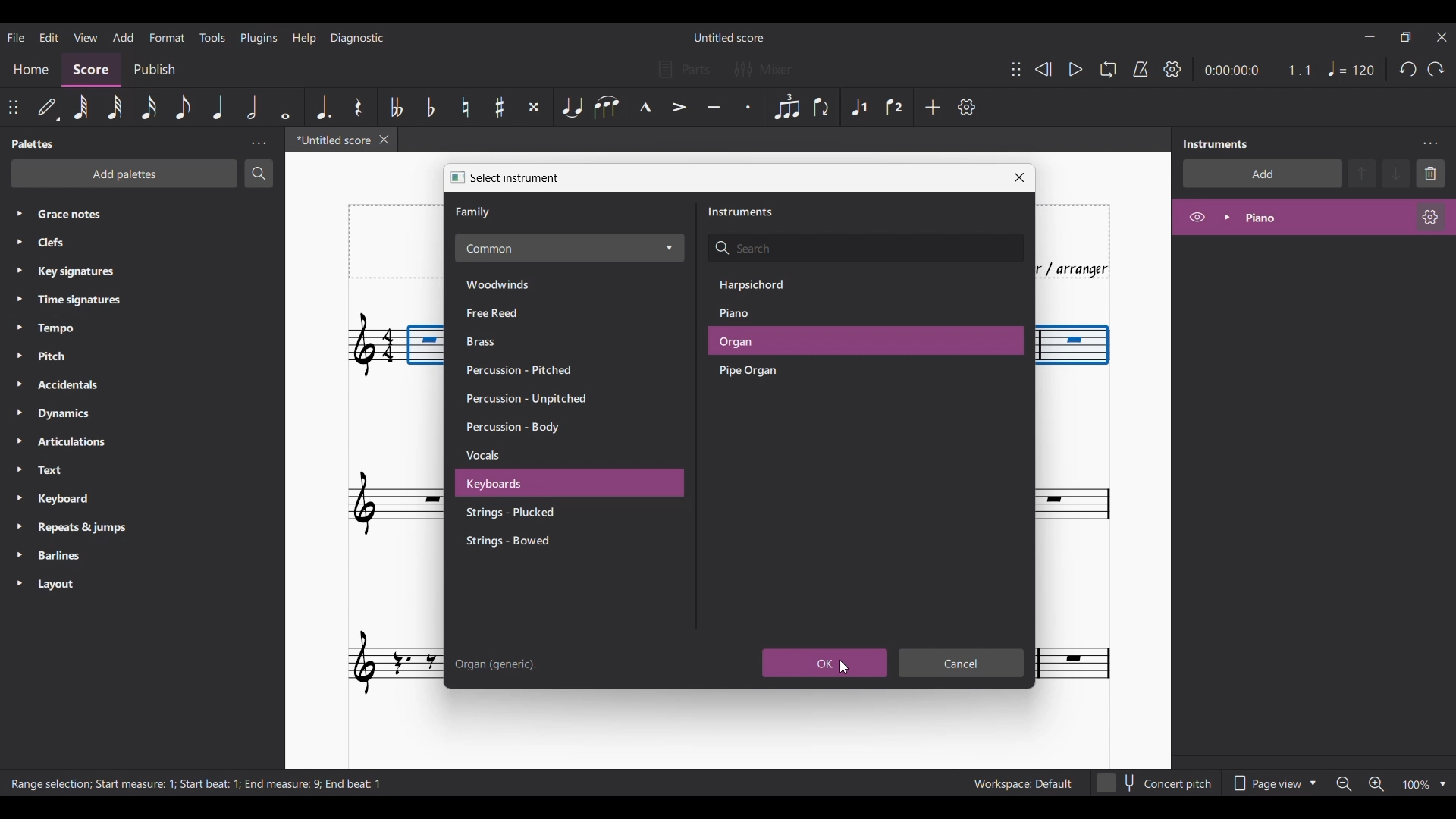  What do you see at coordinates (894, 108) in the screenshot?
I see `Voice 2` at bounding box center [894, 108].